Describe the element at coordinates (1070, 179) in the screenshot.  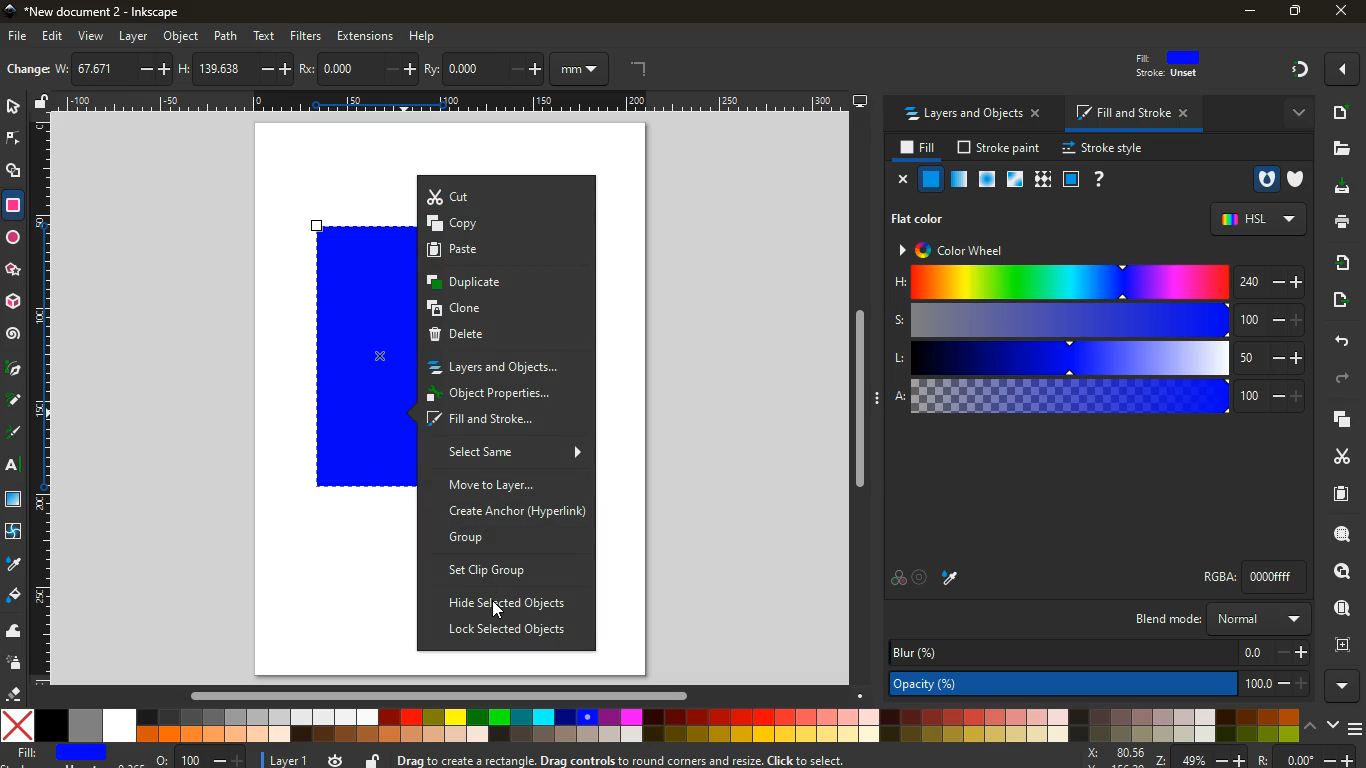
I see `glass` at that location.